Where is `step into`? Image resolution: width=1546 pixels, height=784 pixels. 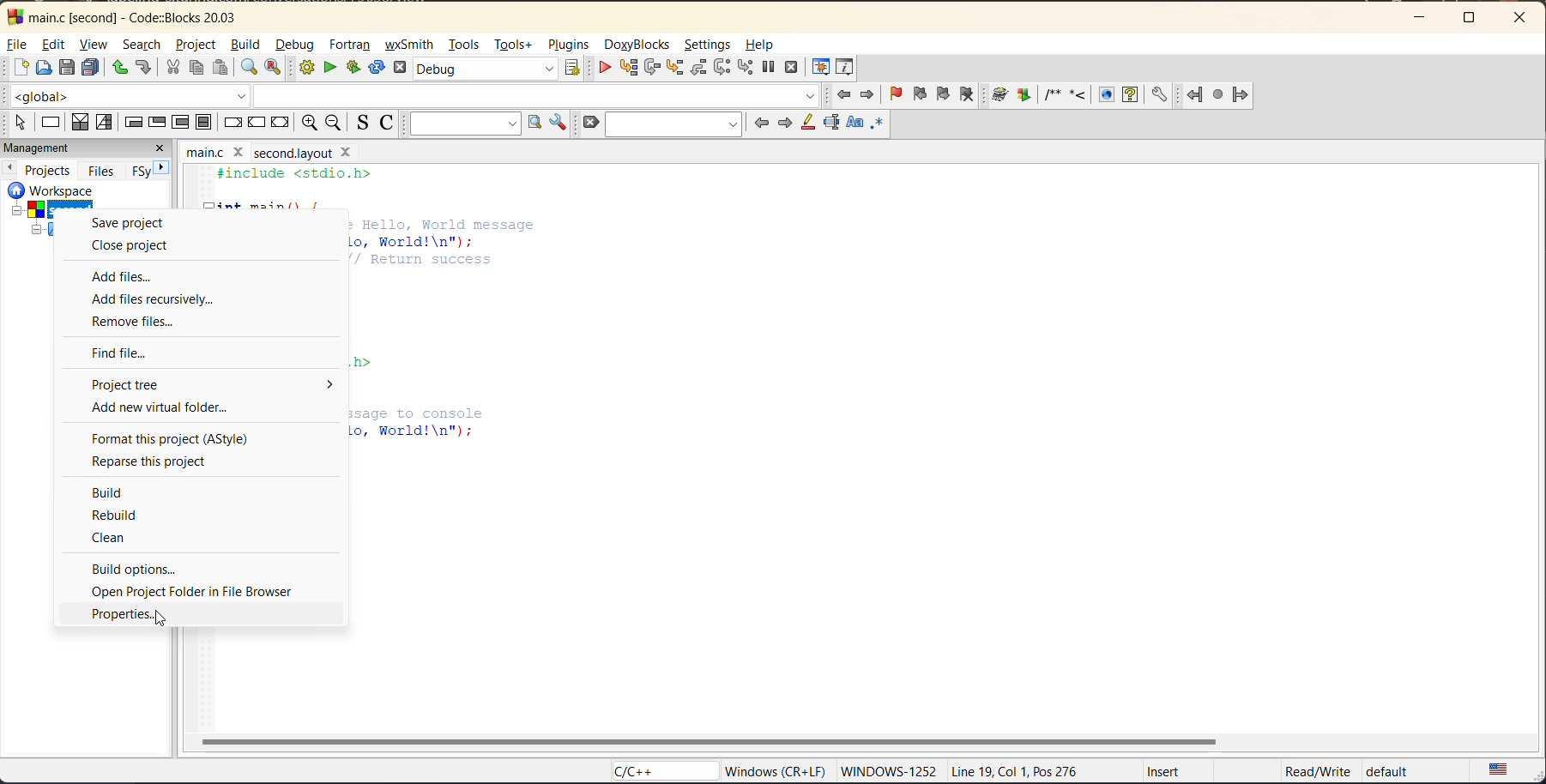 step into is located at coordinates (674, 70).